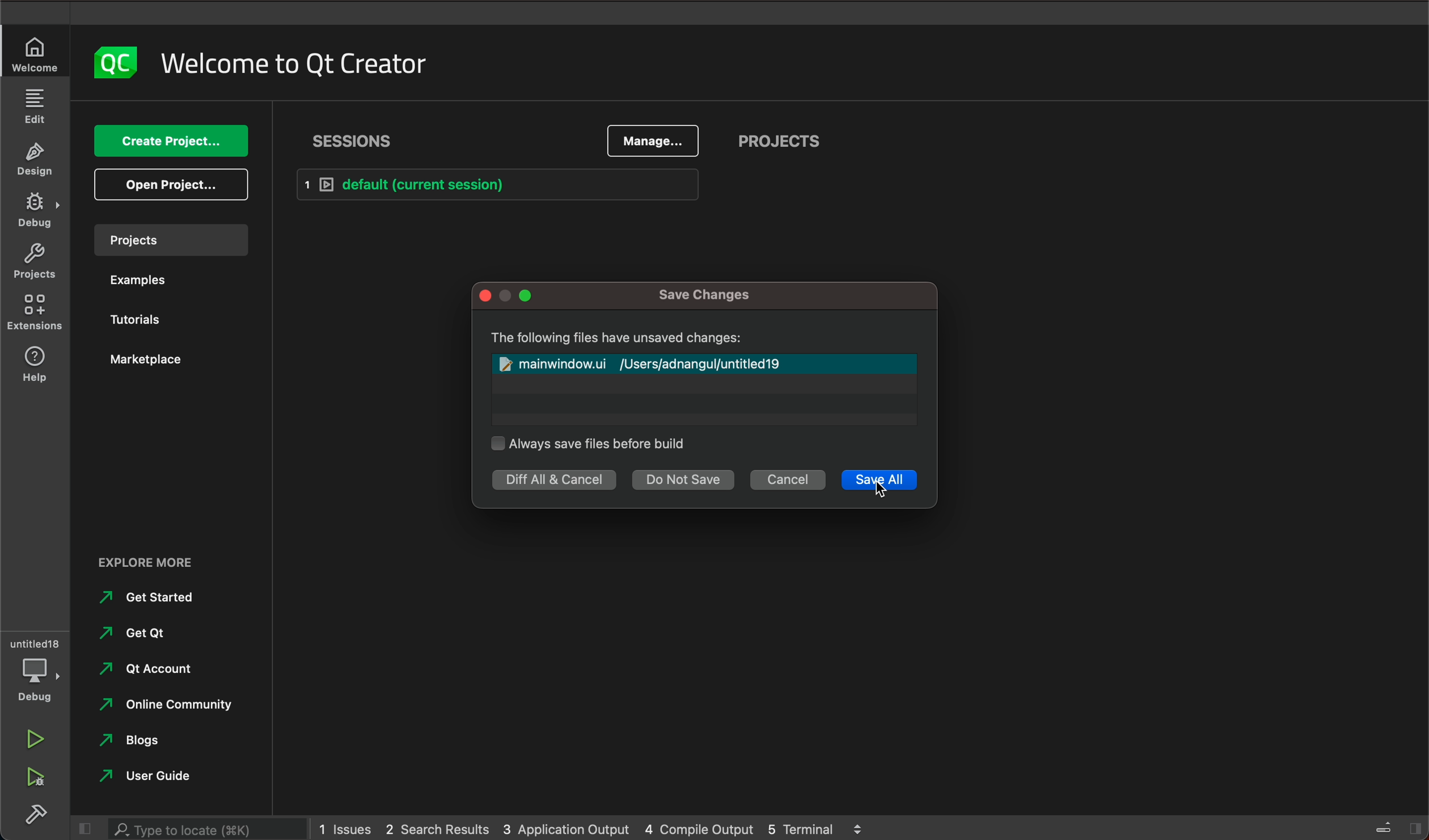 This screenshot has width=1429, height=840. What do you see at coordinates (861, 829) in the screenshot?
I see `scroll up and down` at bounding box center [861, 829].